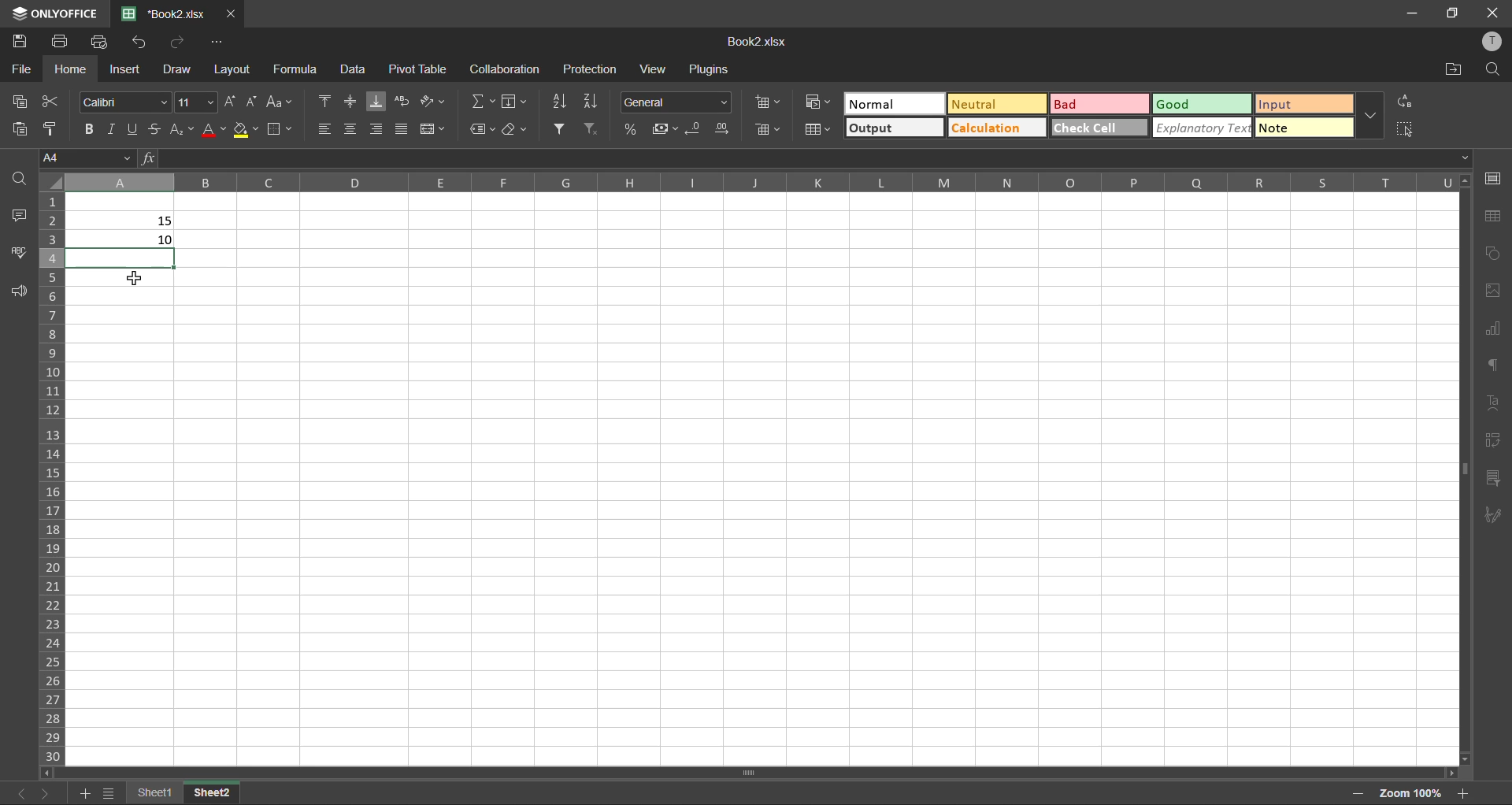 This screenshot has height=805, width=1512. What do you see at coordinates (681, 102) in the screenshot?
I see `number format` at bounding box center [681, 102].